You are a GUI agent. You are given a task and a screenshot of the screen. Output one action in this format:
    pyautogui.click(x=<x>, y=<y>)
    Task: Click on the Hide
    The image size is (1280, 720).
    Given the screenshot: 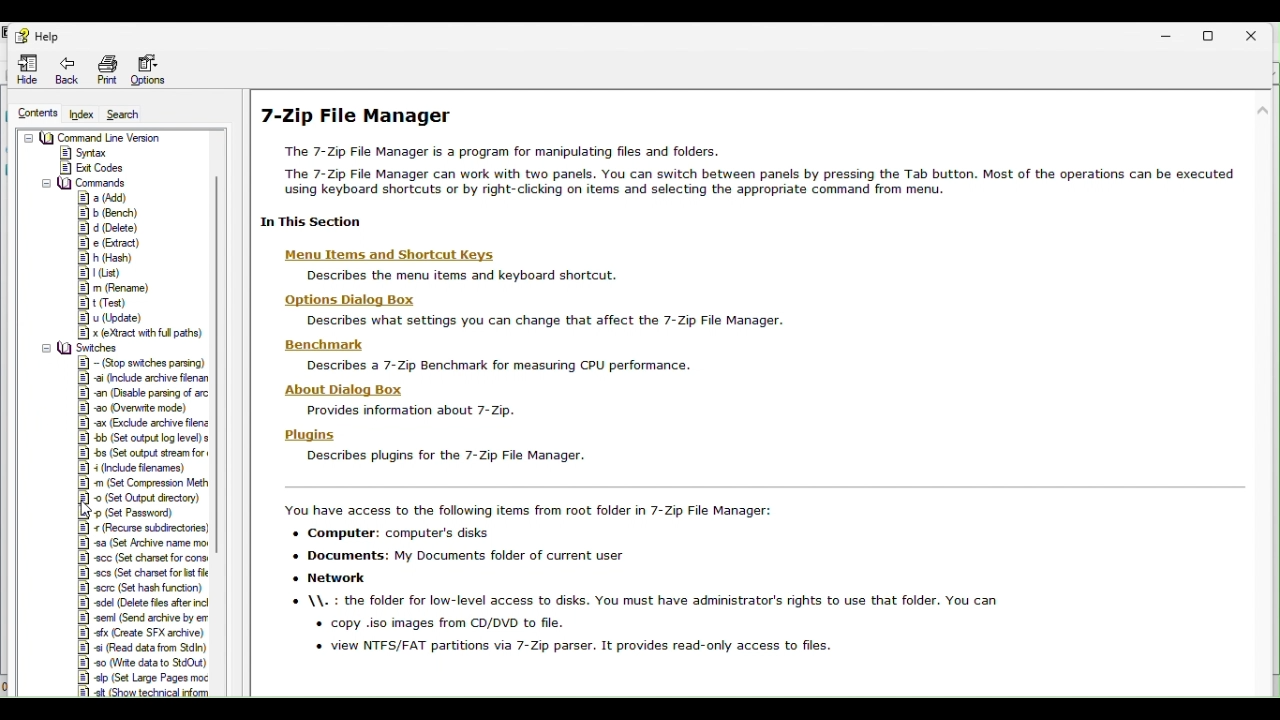 What is the action you would take?
    pyautogui.click(x=23, y=69)
    